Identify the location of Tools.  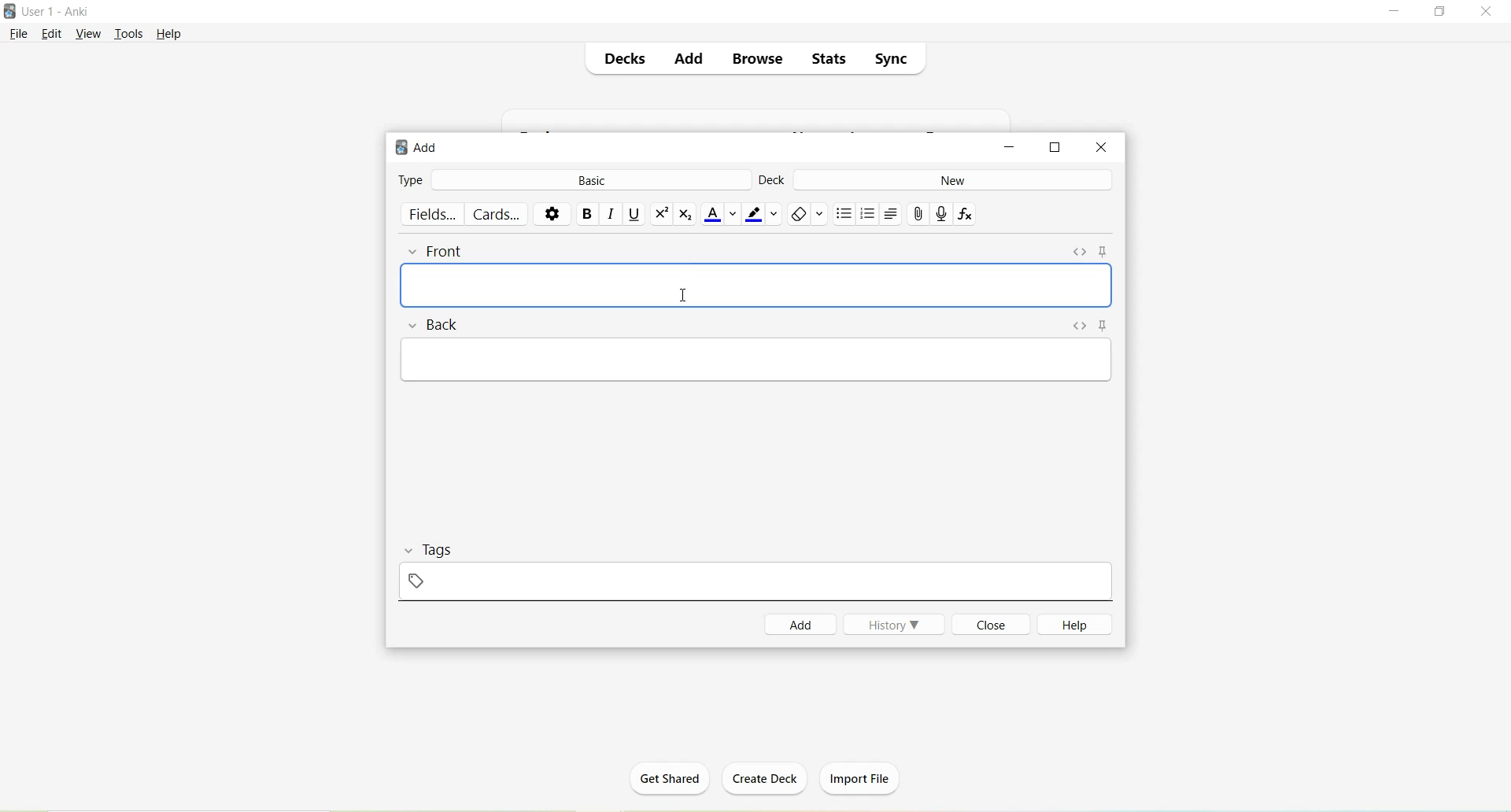
(129, 35).